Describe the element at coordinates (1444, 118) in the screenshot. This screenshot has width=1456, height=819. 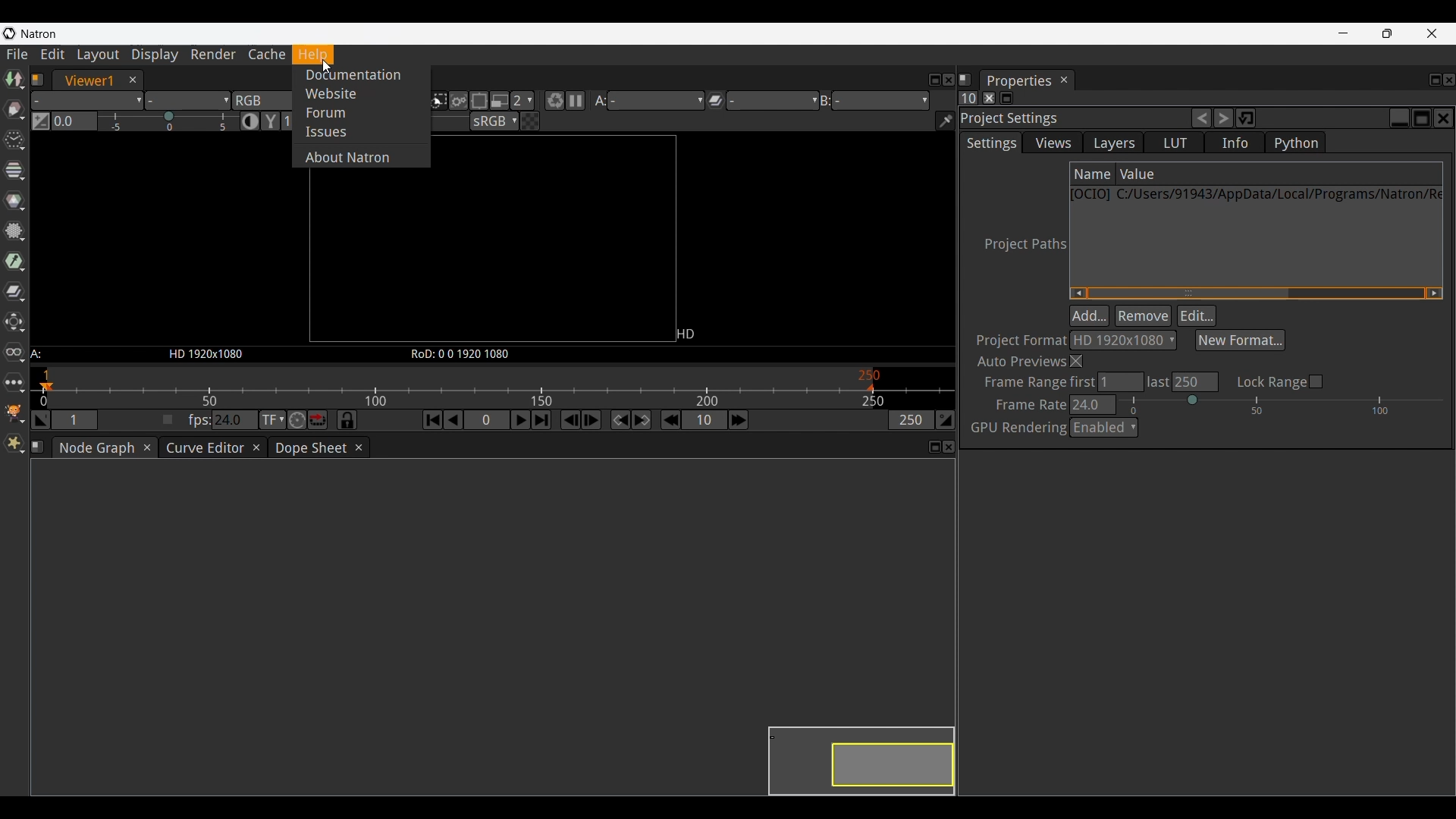
I see `Close projects settings` at that location.